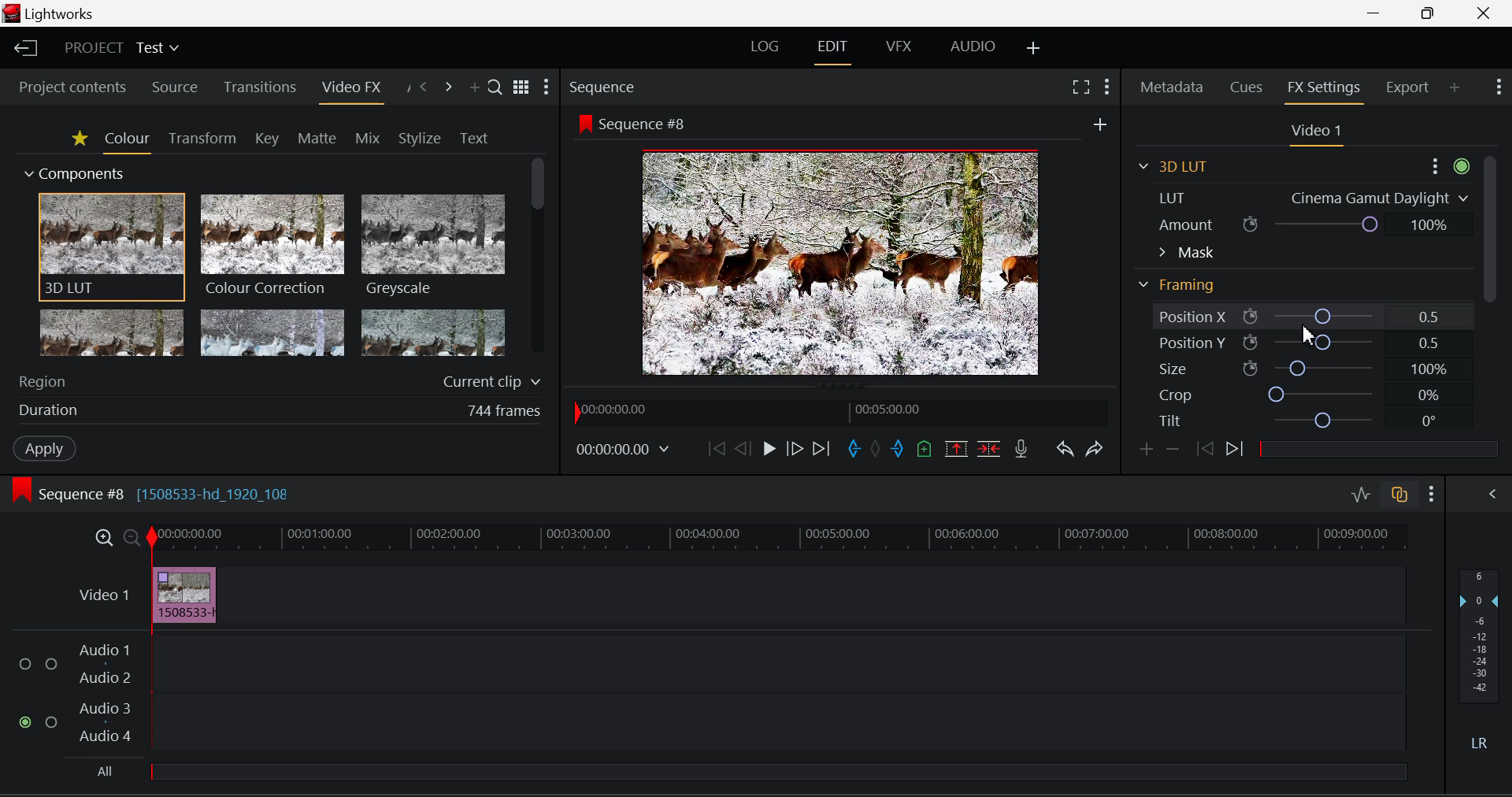  I want to click on Favorites, so click(80, 140).